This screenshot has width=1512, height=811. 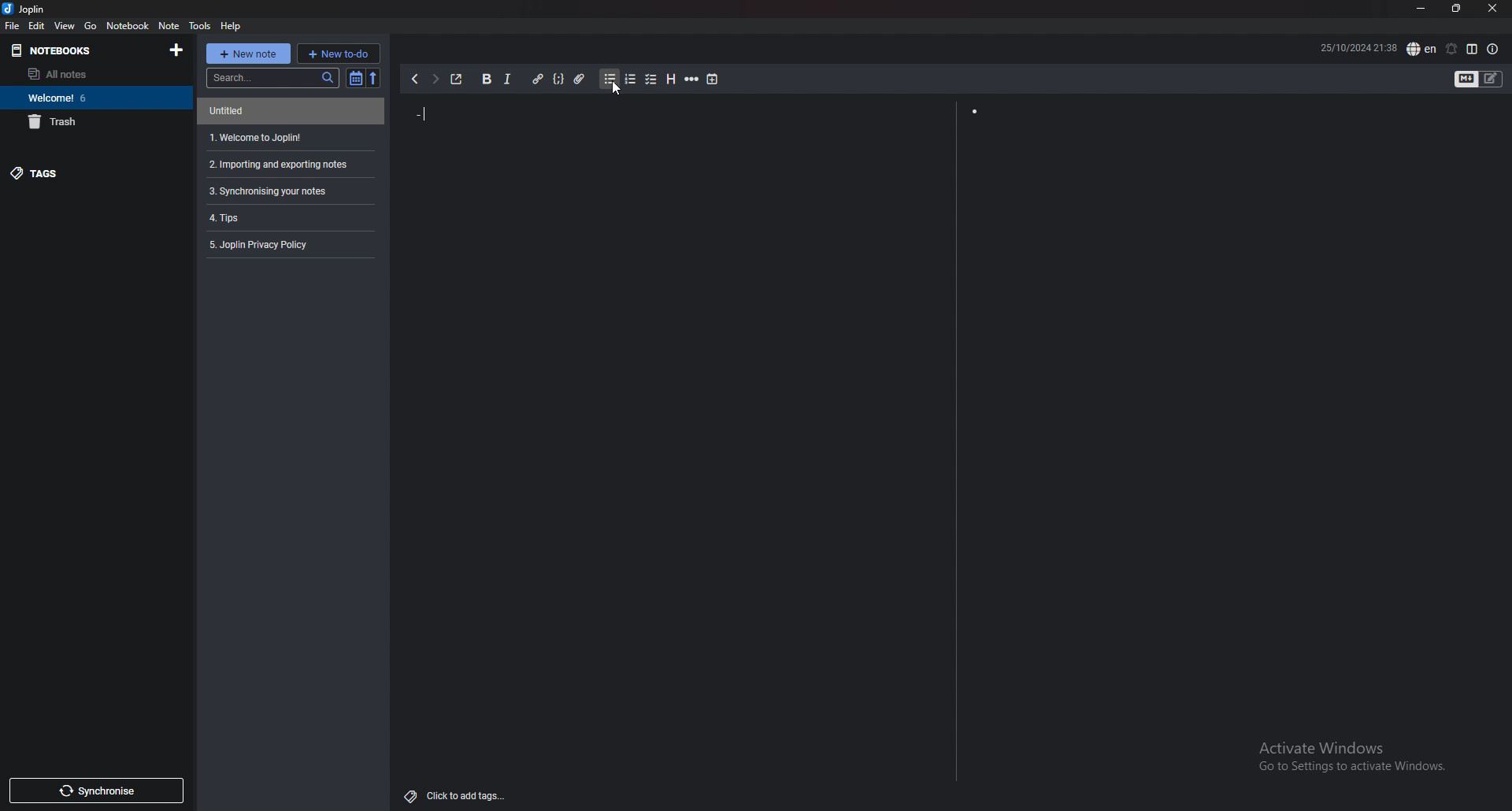 What do you see at coordinates (435, 79) in the screenshot?
I see `forward` at bounding box center [435, 79].